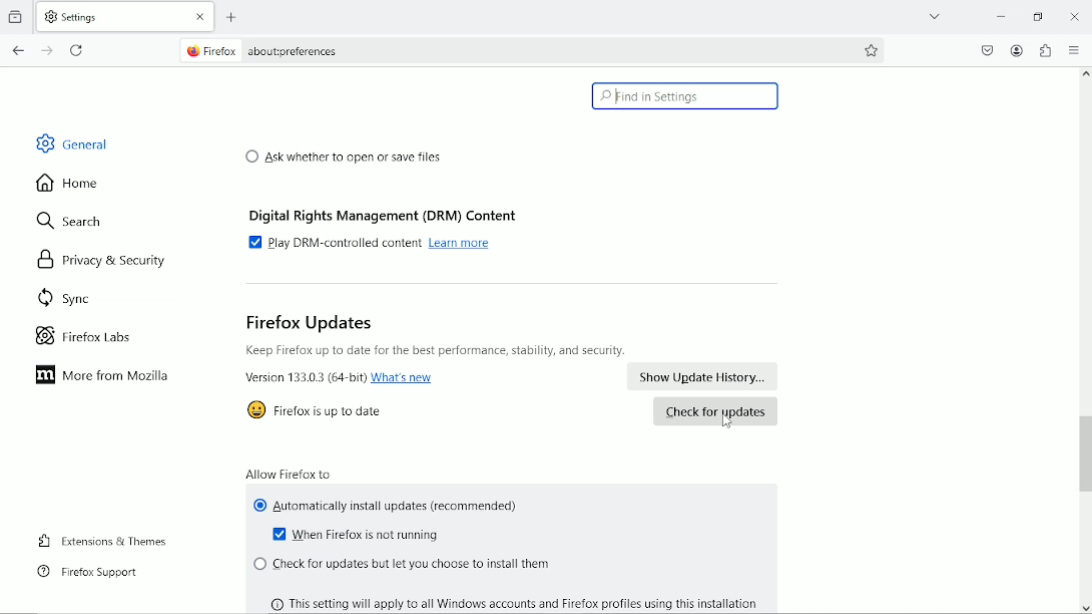 This screenshot has height=614, width=1092. I want to click on home, so click(67, 184).